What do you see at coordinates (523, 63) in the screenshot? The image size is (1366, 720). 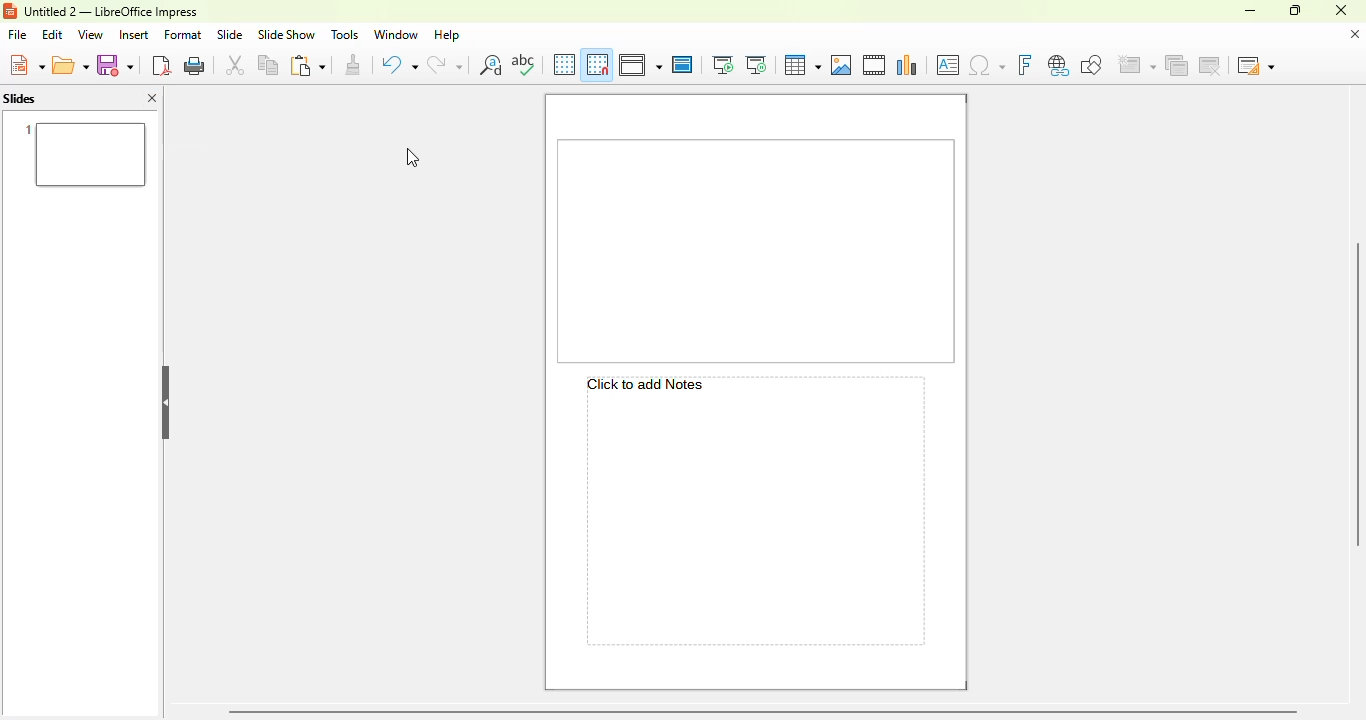 I see `spelling` at bounding box center [523, 63].